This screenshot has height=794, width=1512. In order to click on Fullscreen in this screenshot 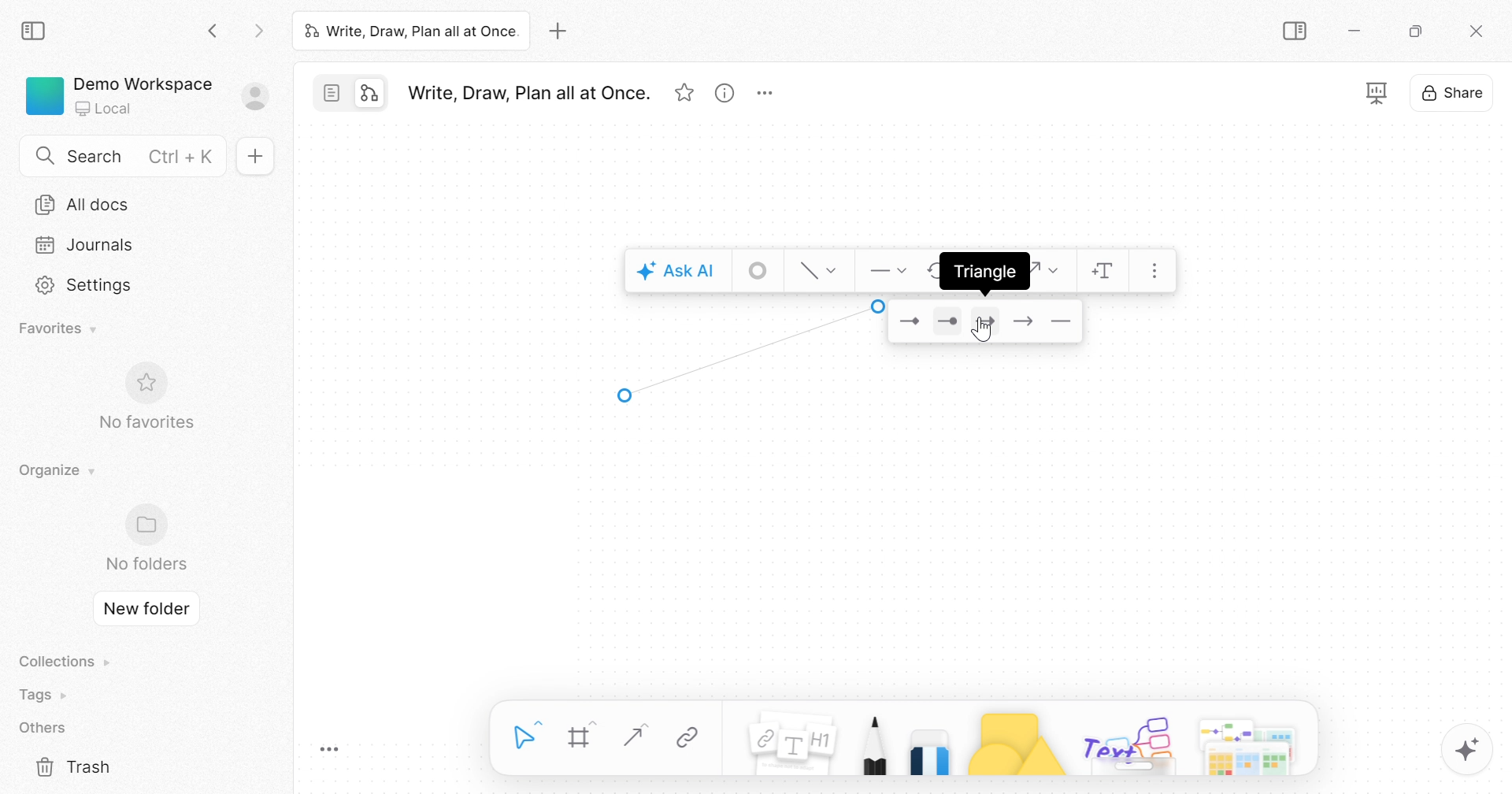, I will do `click(1377, 93)`.